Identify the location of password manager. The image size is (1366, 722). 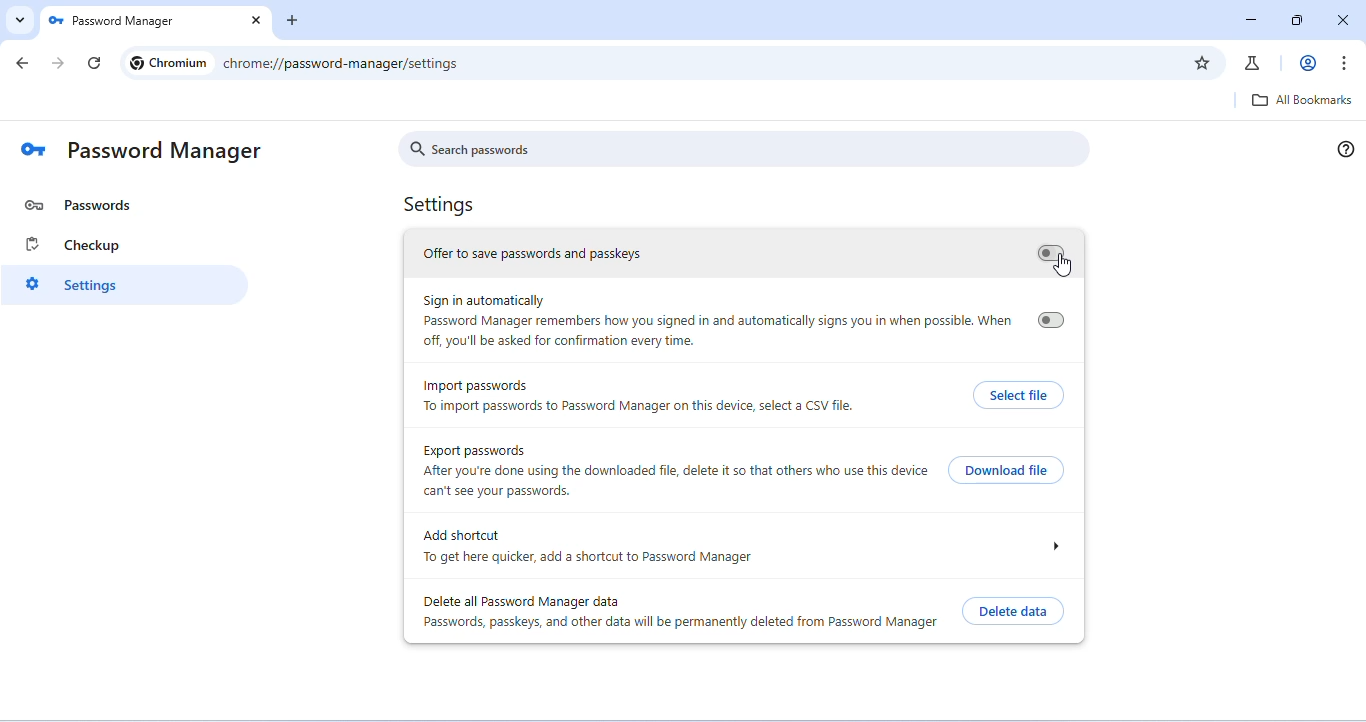
(169, 152).